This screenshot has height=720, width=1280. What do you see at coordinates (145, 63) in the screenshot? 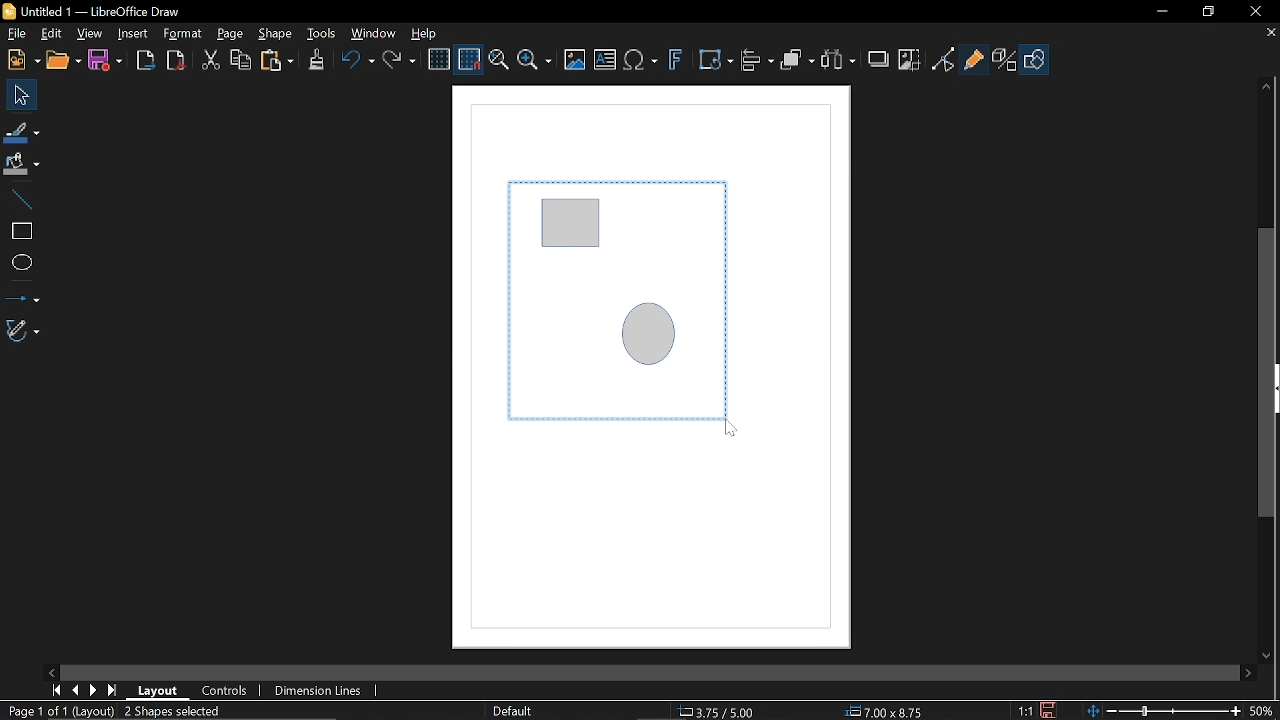
I see `Export` at bounding box center [145, 63].